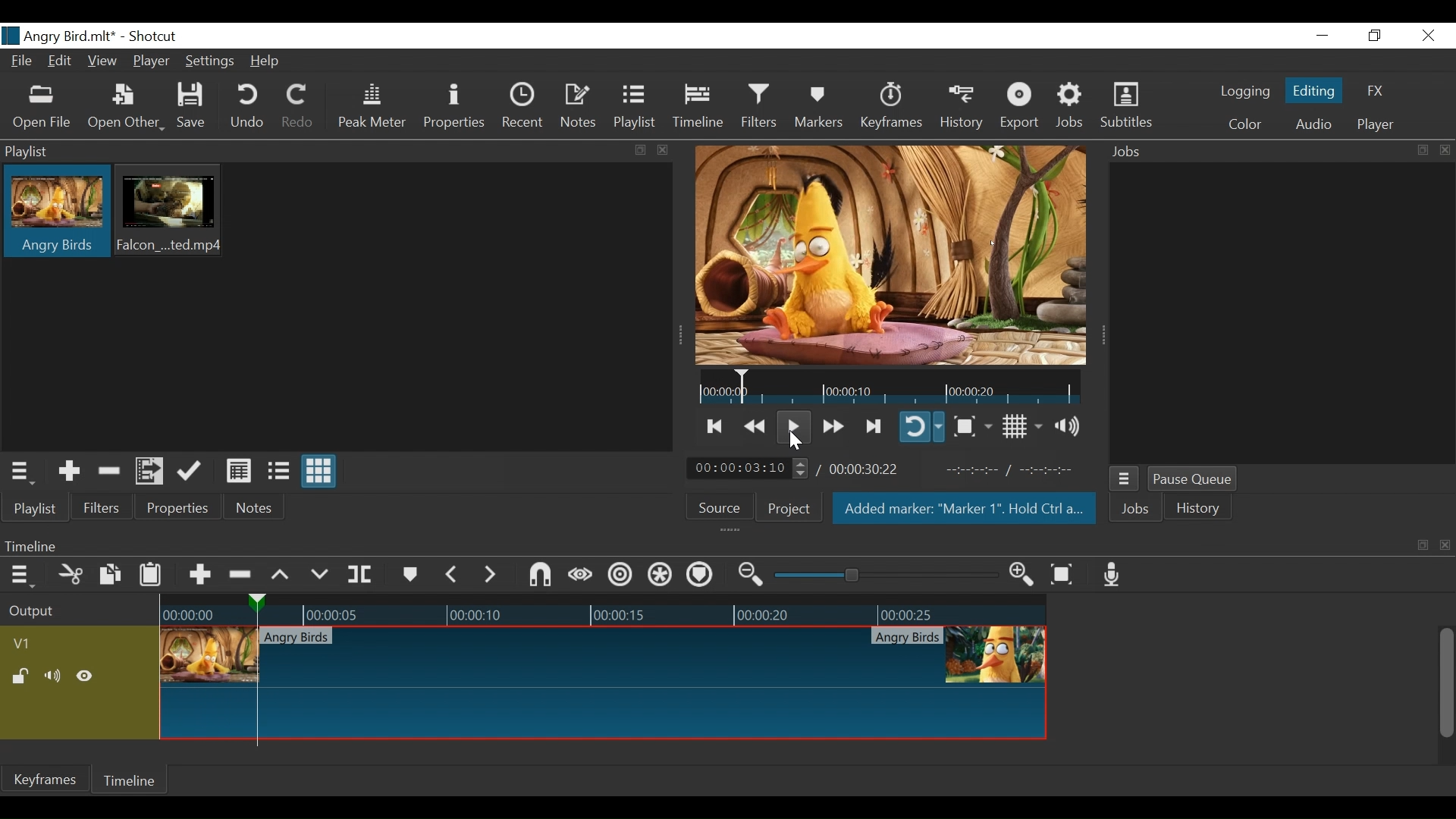 The height and width of the screenshot is (819, 1456). What do you see at coordinates (25, 62) in the screenshot?
I see `File` at bounding box center [25, 62].